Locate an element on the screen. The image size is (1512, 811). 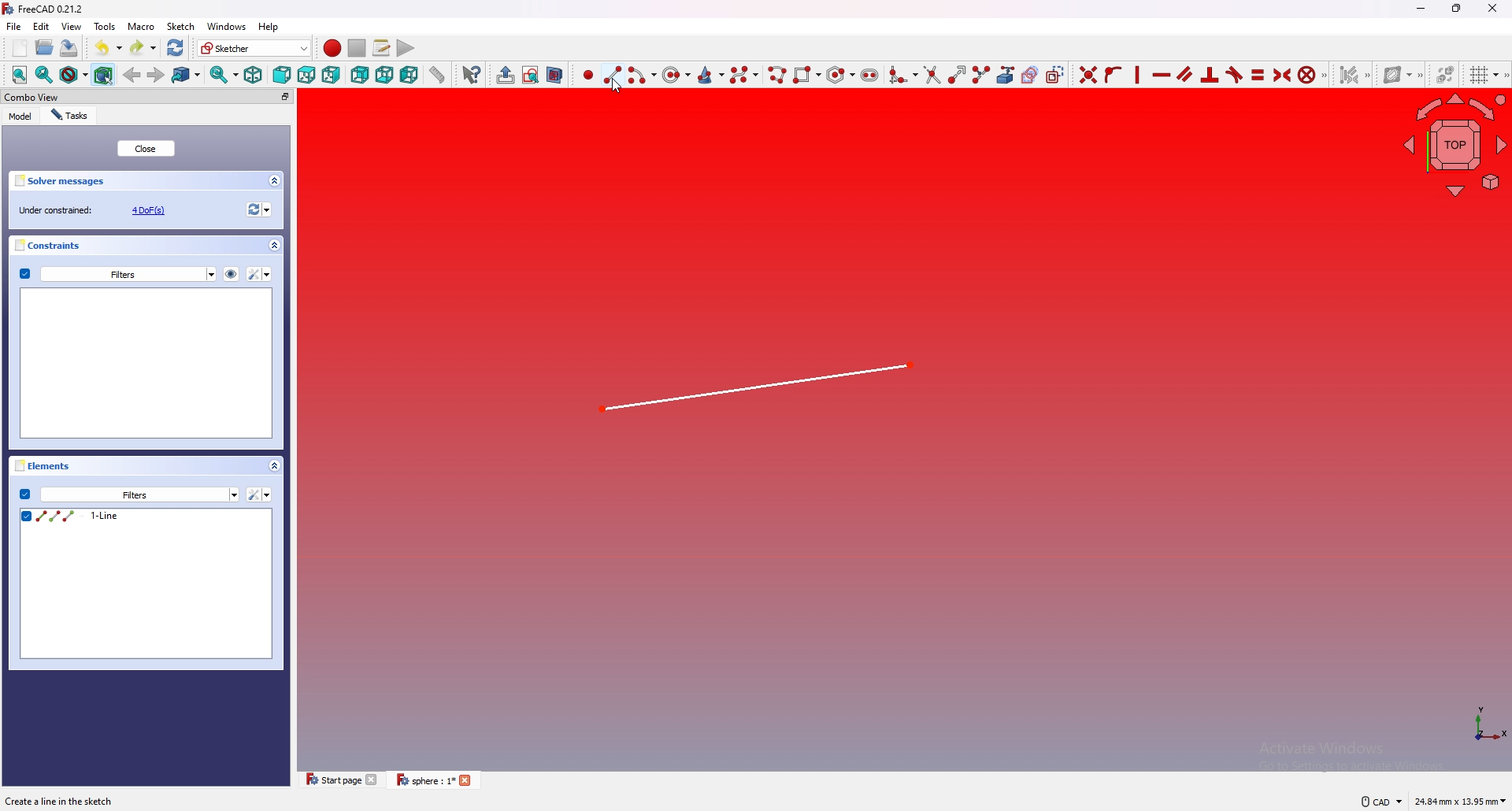
Constrain perpendicular is located at coordinates (1208, 75).